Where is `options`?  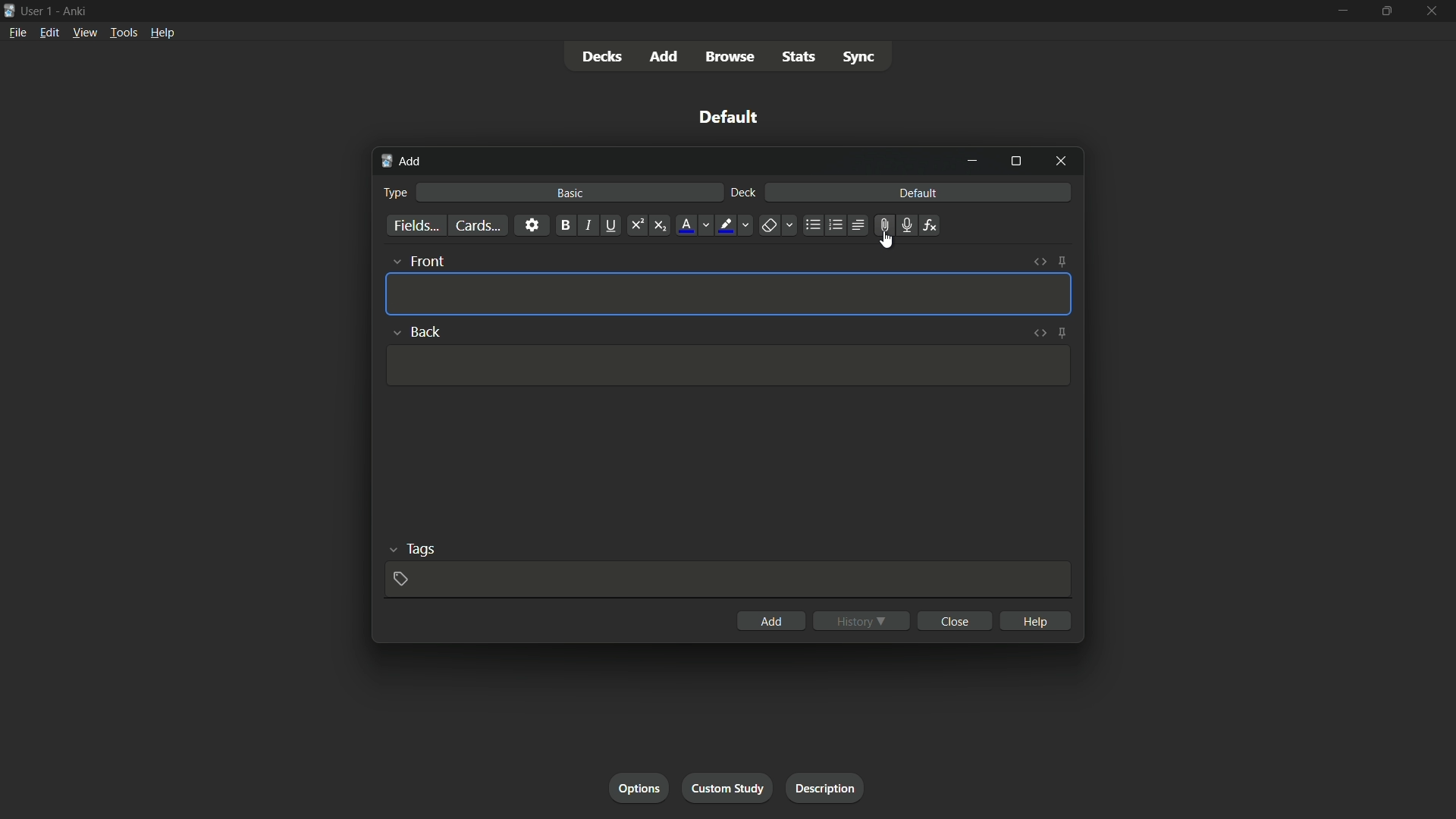
options is located at coordinates (639, 787).